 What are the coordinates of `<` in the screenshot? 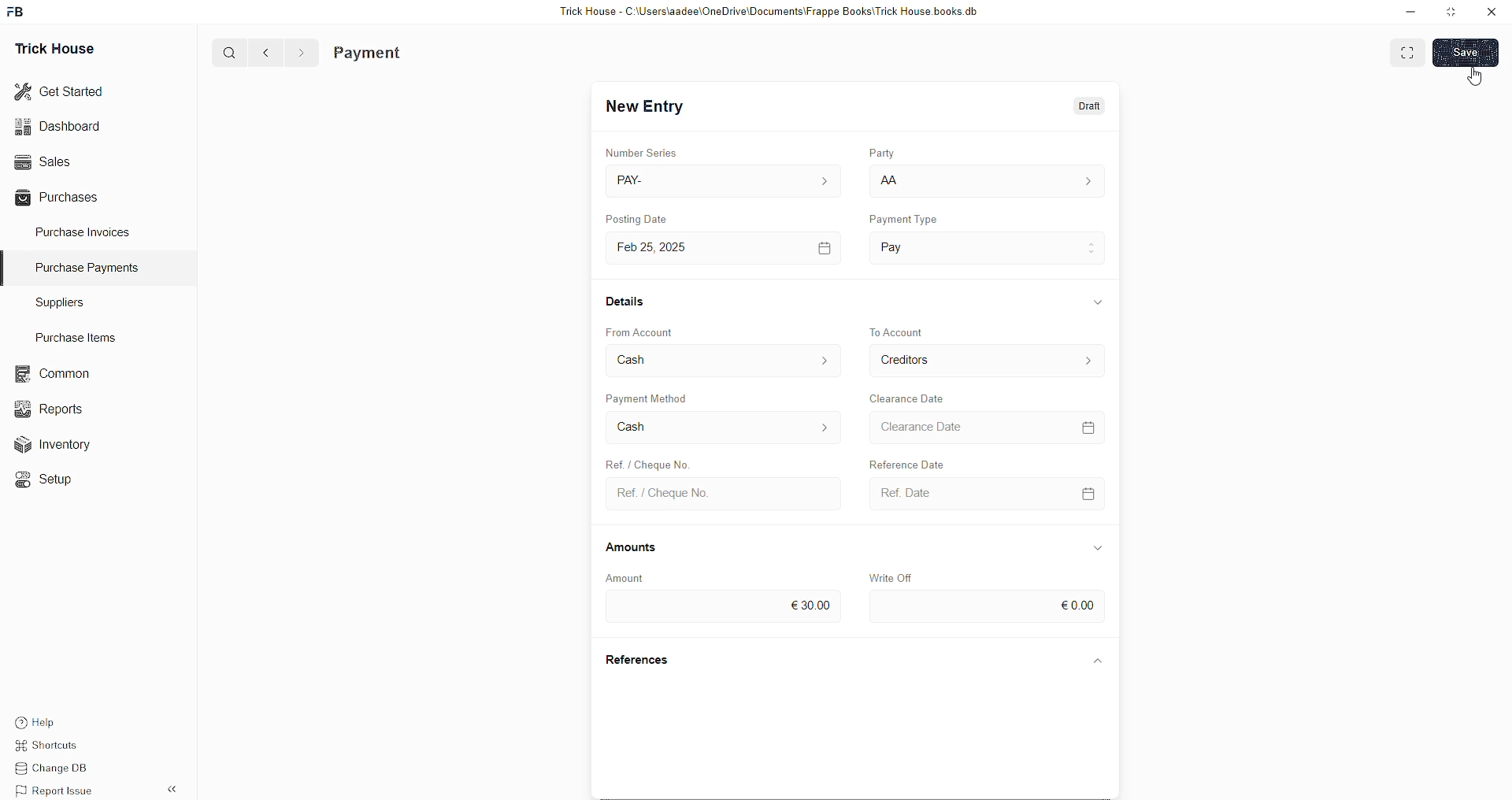 It's located at (262, 52).